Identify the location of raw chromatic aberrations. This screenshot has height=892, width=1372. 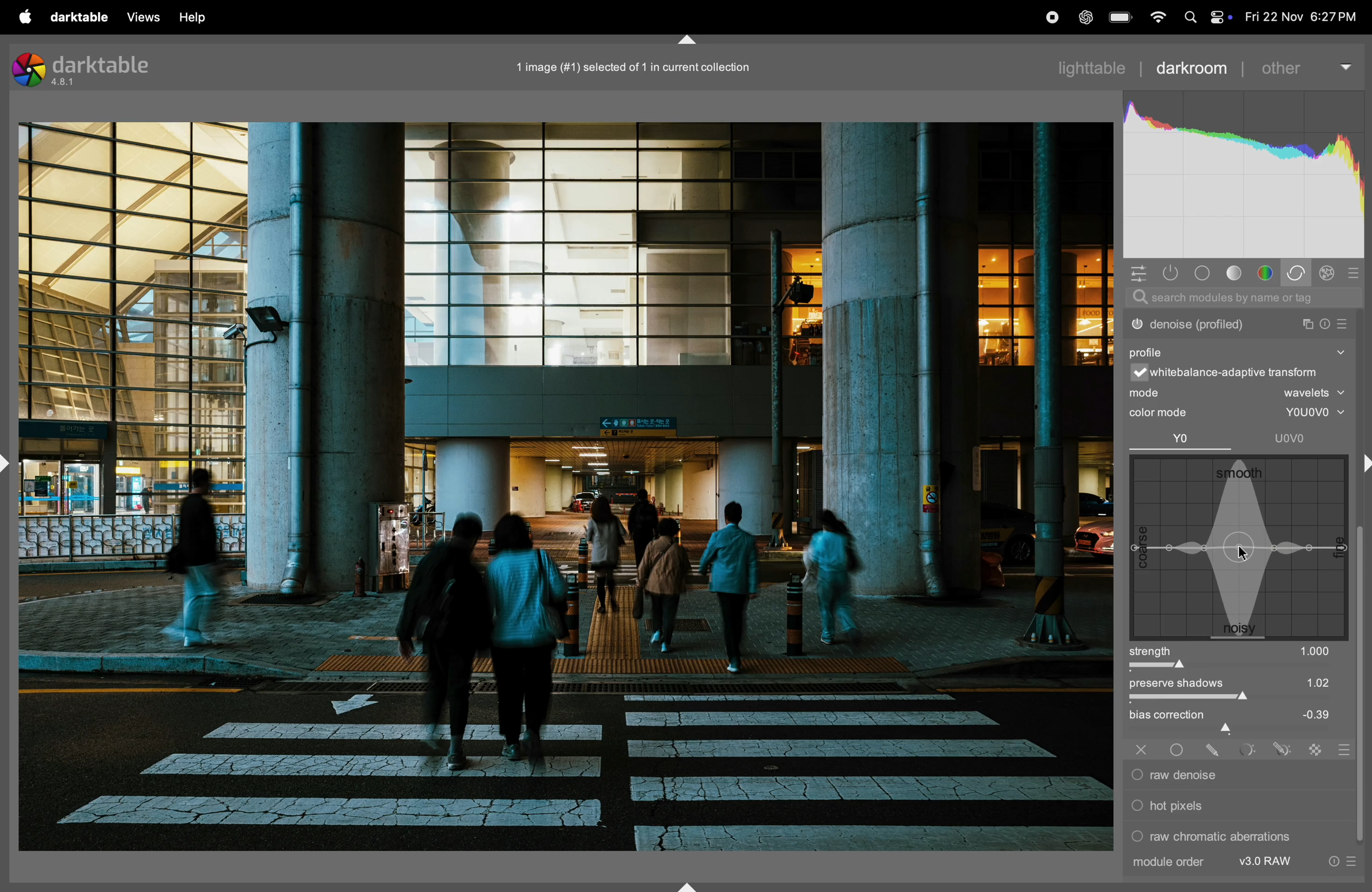
(1212, 836).